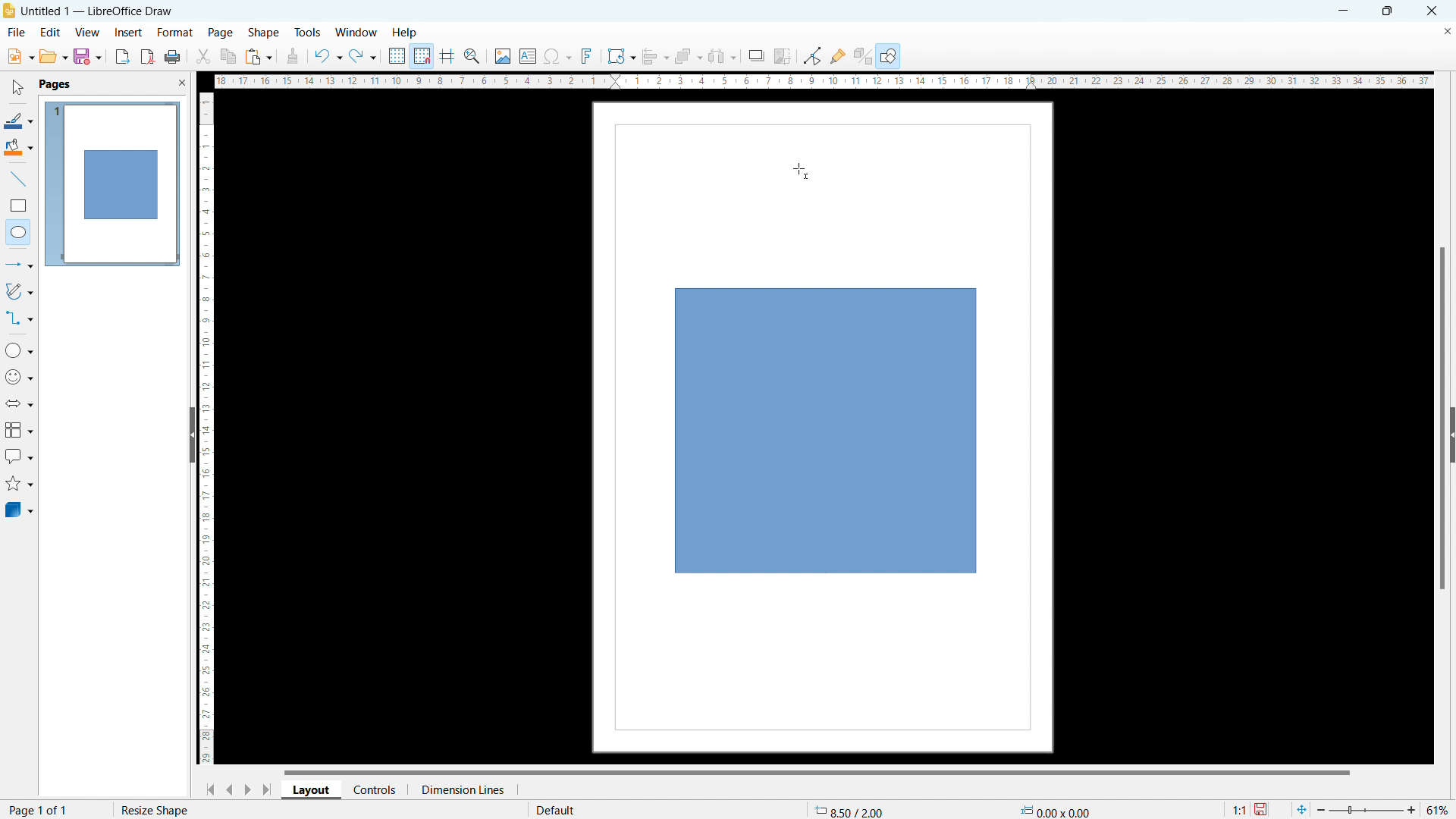  What do you see at coordinates (18, 206) in the screenshot?
I see `rectangle` at bounding box center [18, 206].